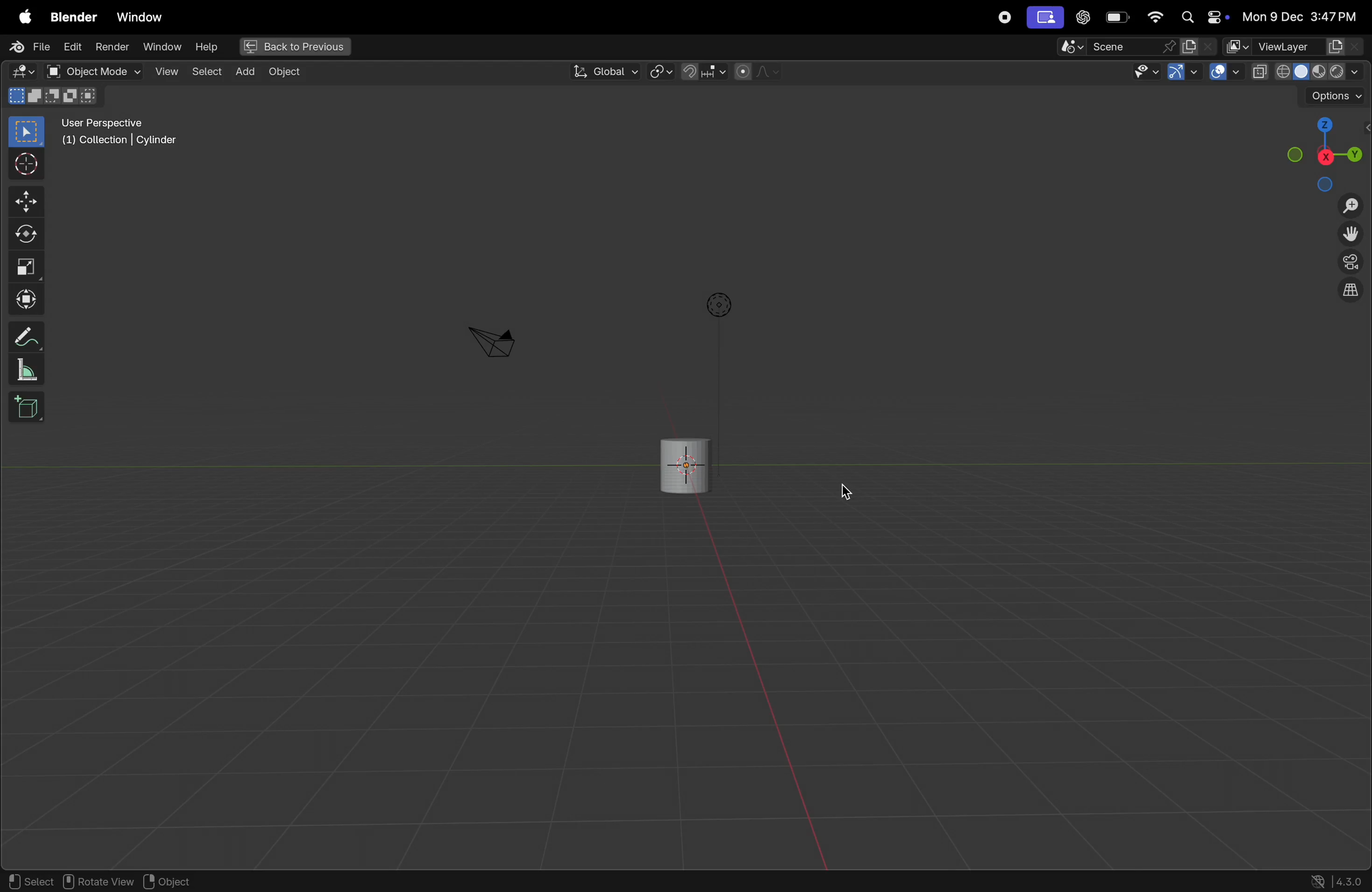 The width and height of the screenshot is (1372, 892). Describe the element at coordinates (1353, 293) in the screenshot. I see `orthographic view` at that location.